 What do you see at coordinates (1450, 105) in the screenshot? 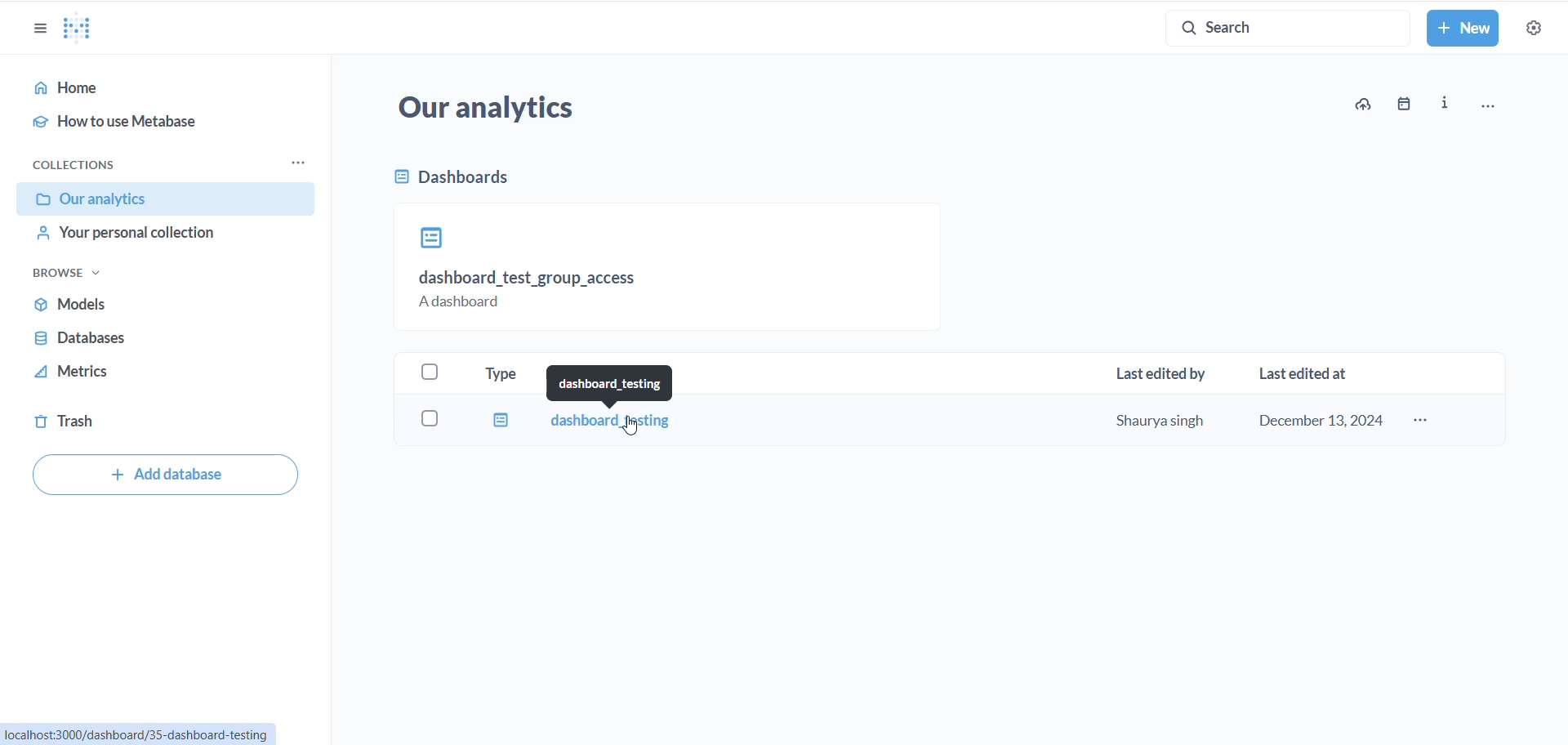
I see `info` at bounding box center [1450, 105].